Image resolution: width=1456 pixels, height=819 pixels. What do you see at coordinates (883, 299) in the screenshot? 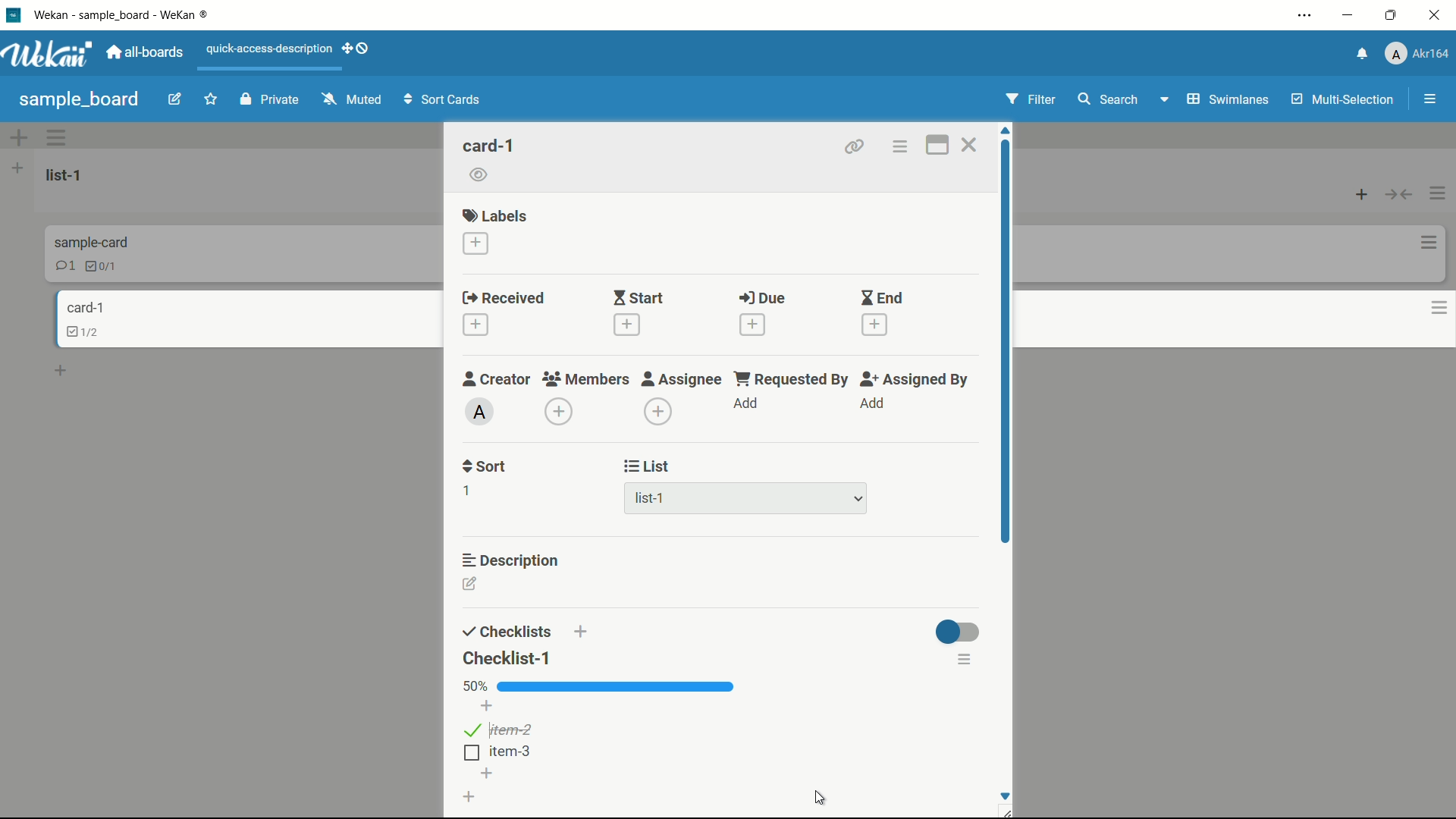
I see `end` at bounding box center [883, 299].